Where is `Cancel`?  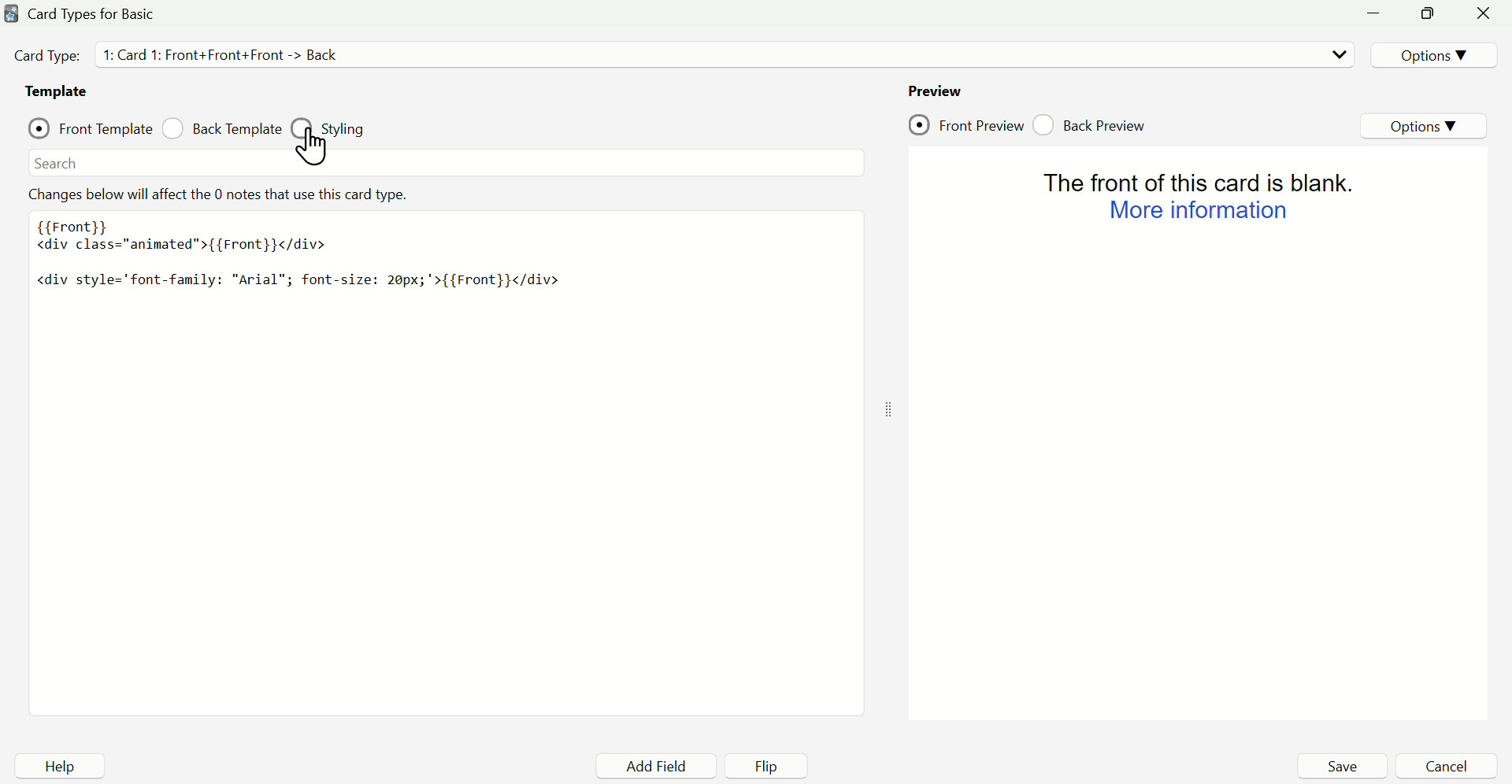 Cancel is located at coordinates (1447, 766).